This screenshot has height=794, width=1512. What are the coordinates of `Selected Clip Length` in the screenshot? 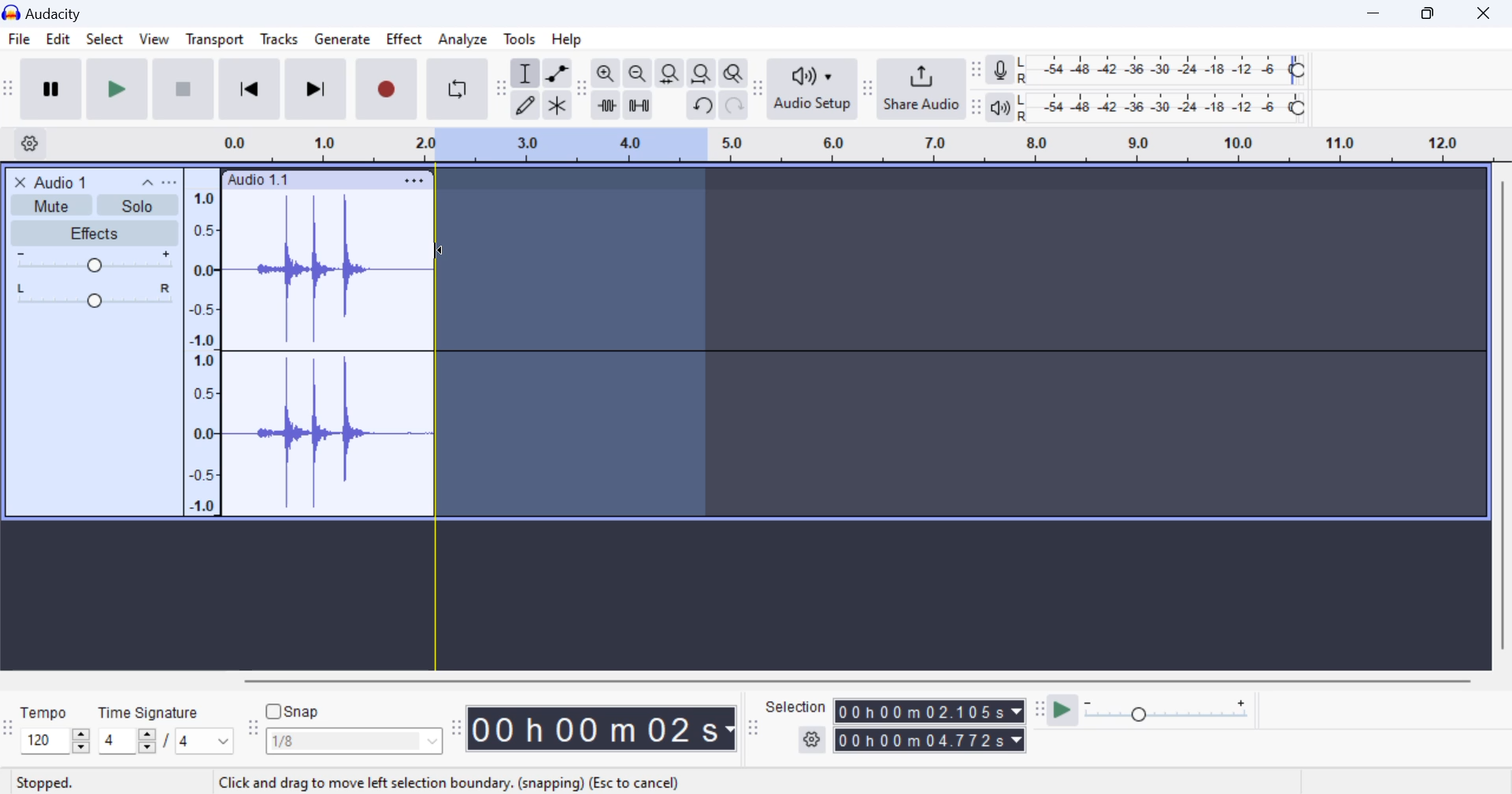 It's located at (932, 728).